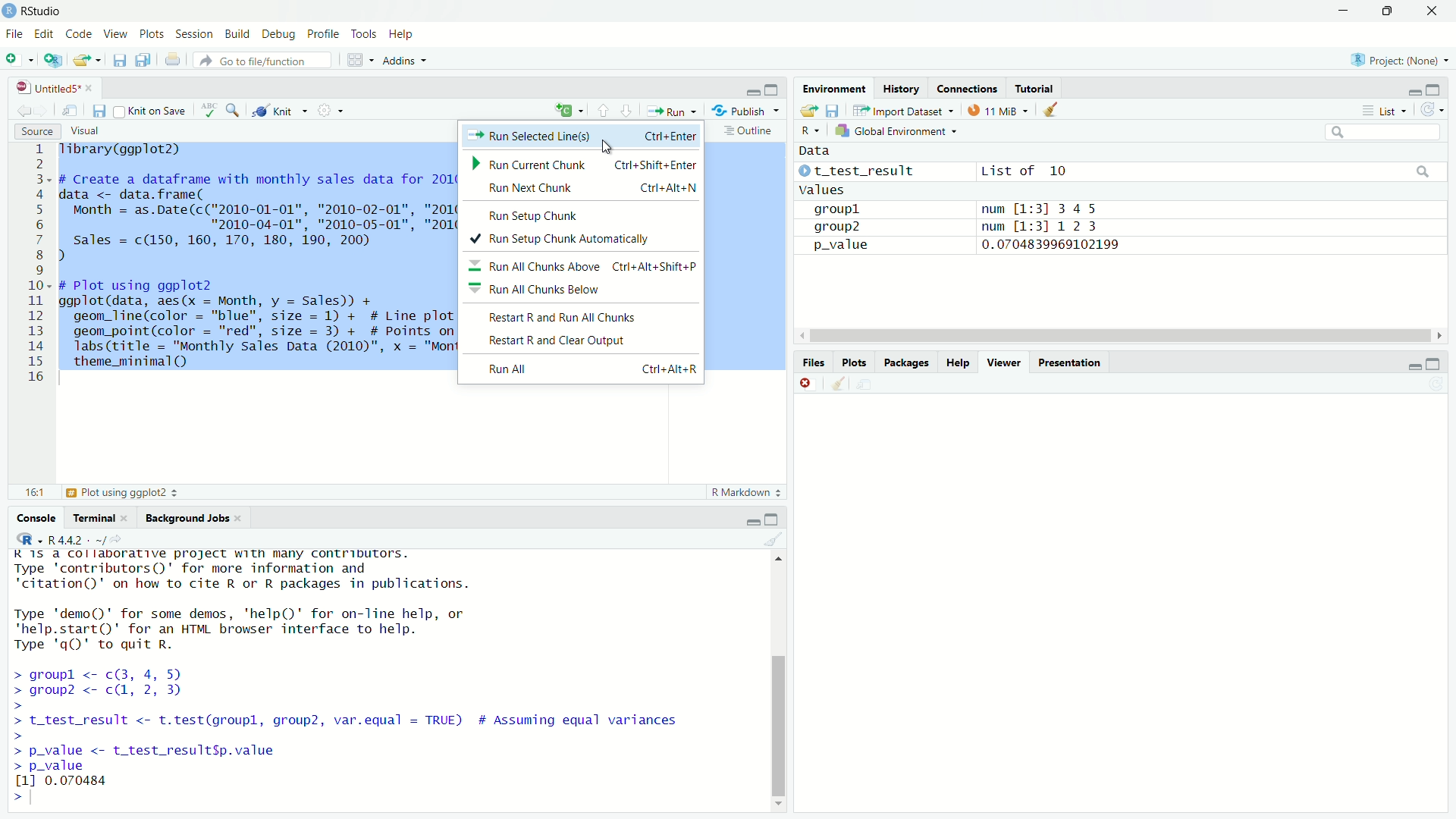  What do you see at coordinates (80, 32) in the screenshot?
I see `Code` at bounding box center [80, 32].